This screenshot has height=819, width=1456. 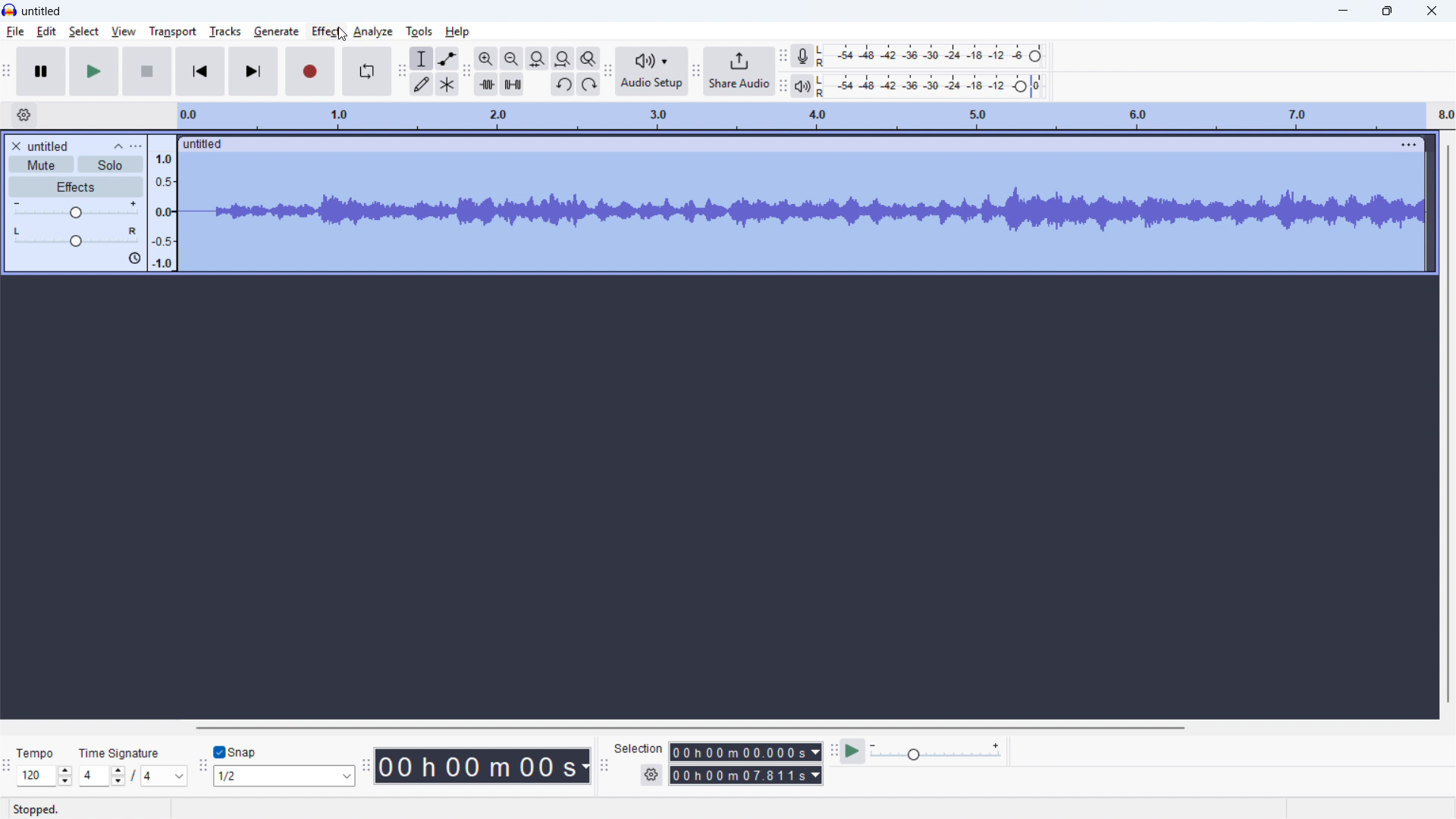 I want to click on close , so click(x=1430, y=11).